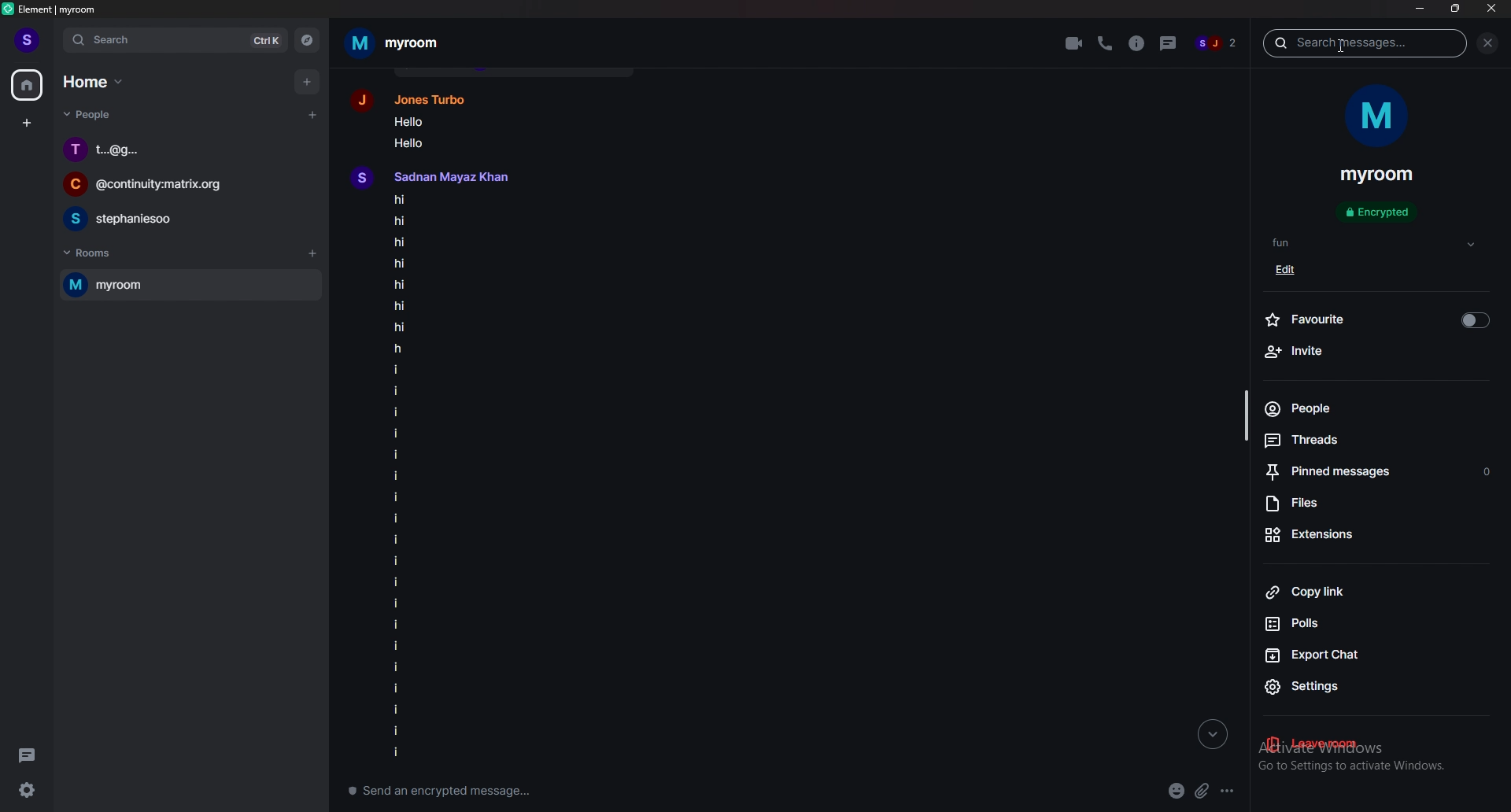 The width and height of the screenshot is (1511, 812). What do you see at coordinates (308, 41) in the screenshot?
I see `explore rooms` at bounding box center [308, 41].